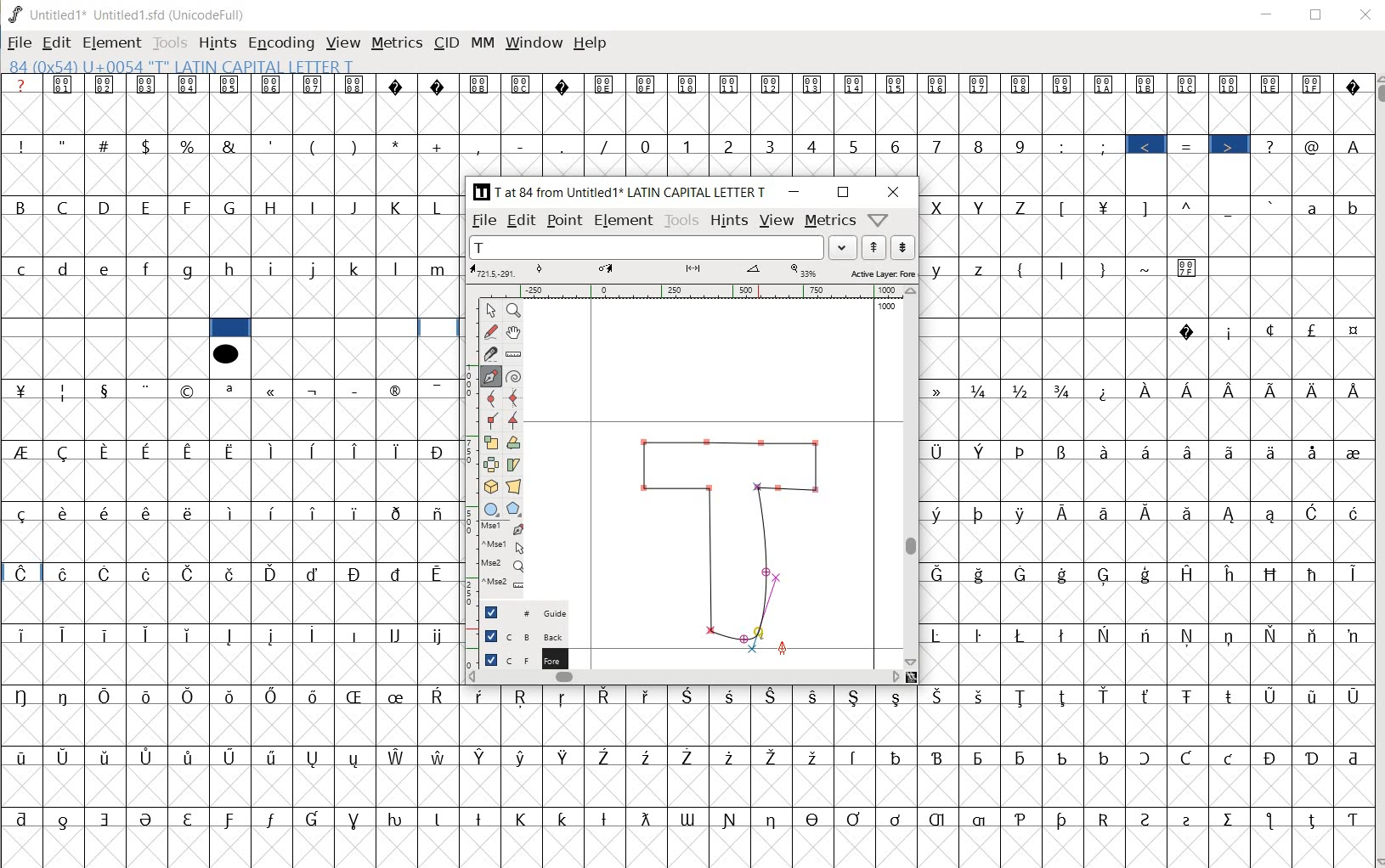 The width and height of the screenshot is (1385, 868). I want to click on encoding, so click(280, 44).